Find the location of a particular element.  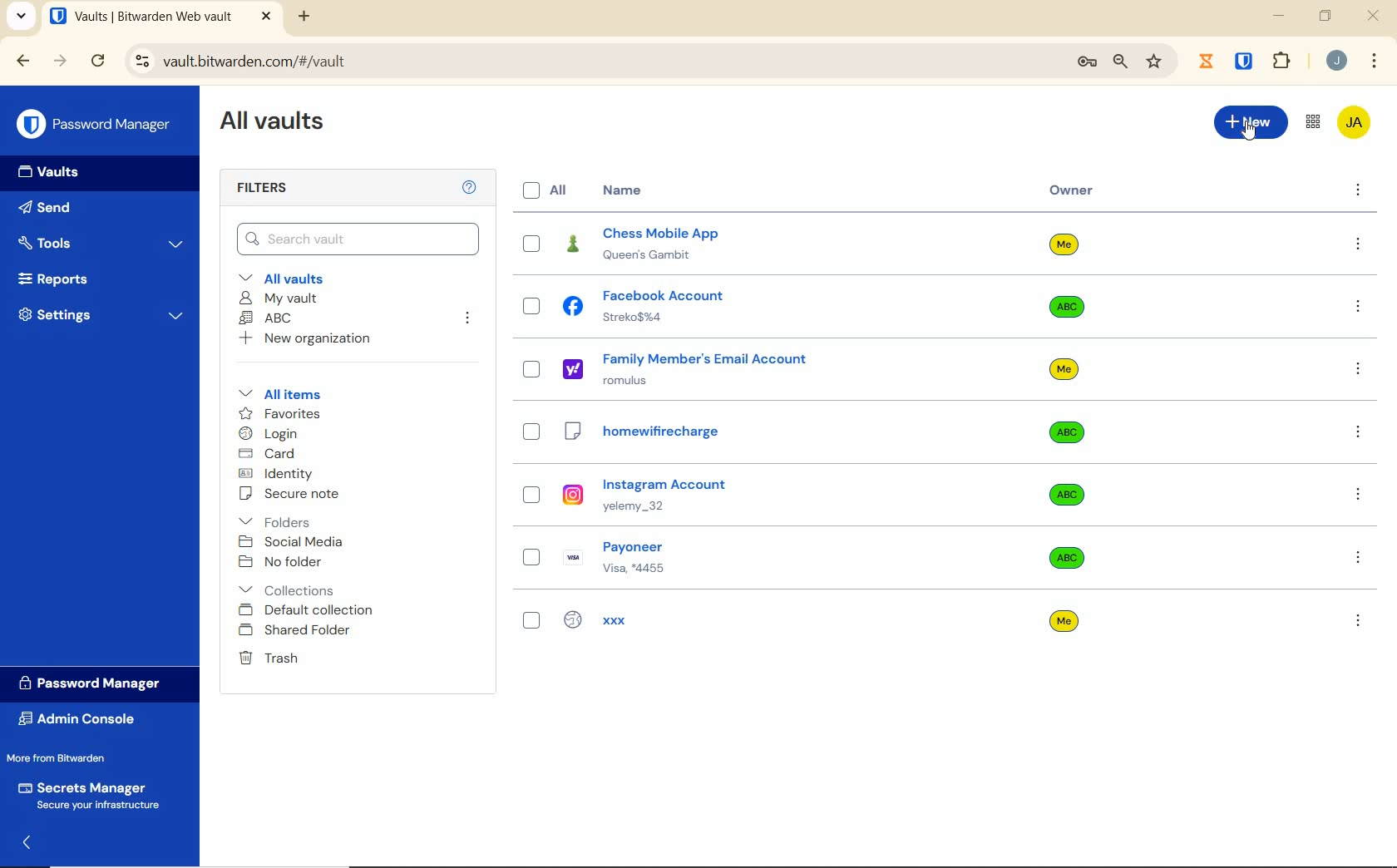

checkbox is located at coordinates (531, 370).